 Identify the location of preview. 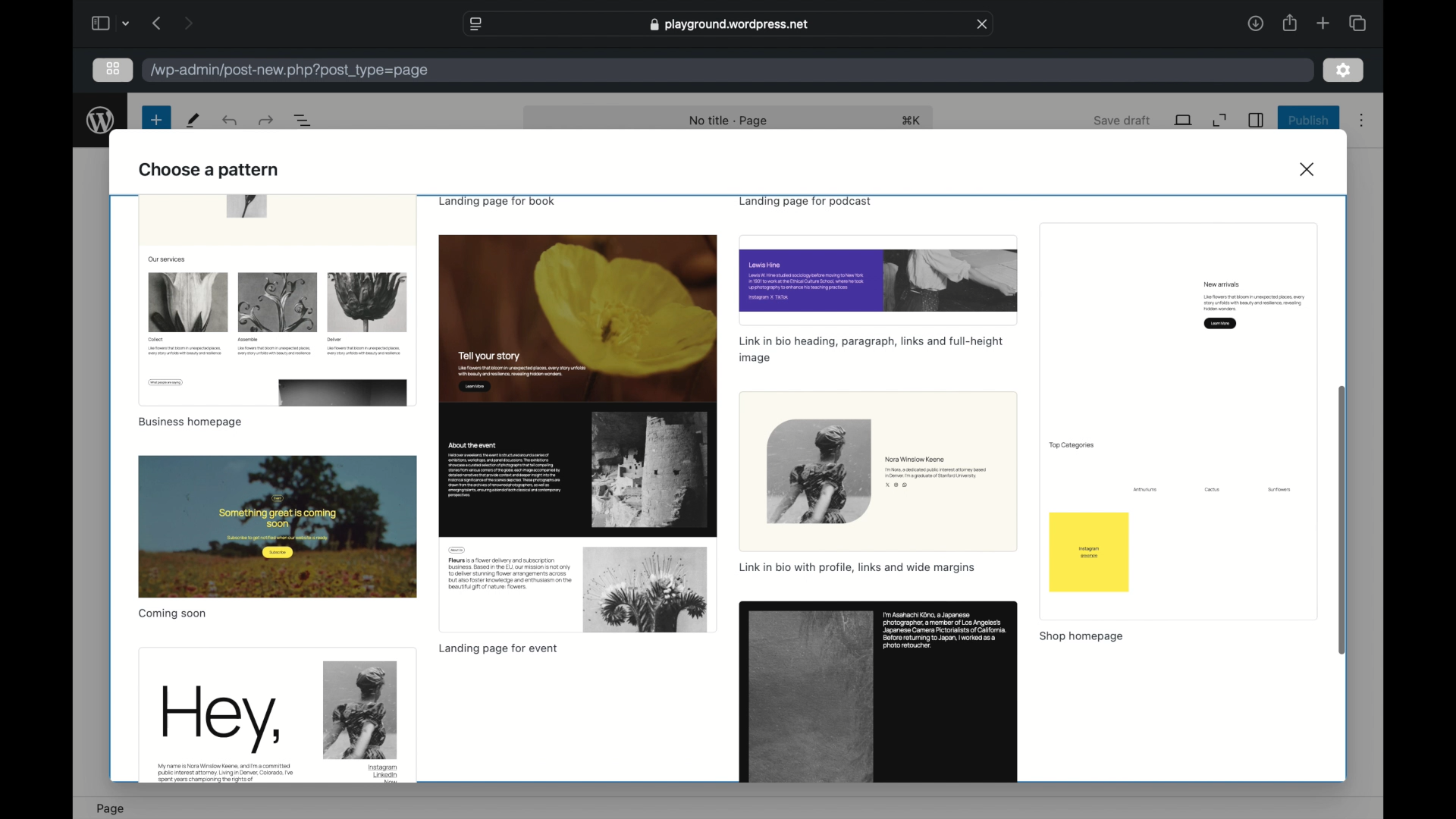
(278, 526).